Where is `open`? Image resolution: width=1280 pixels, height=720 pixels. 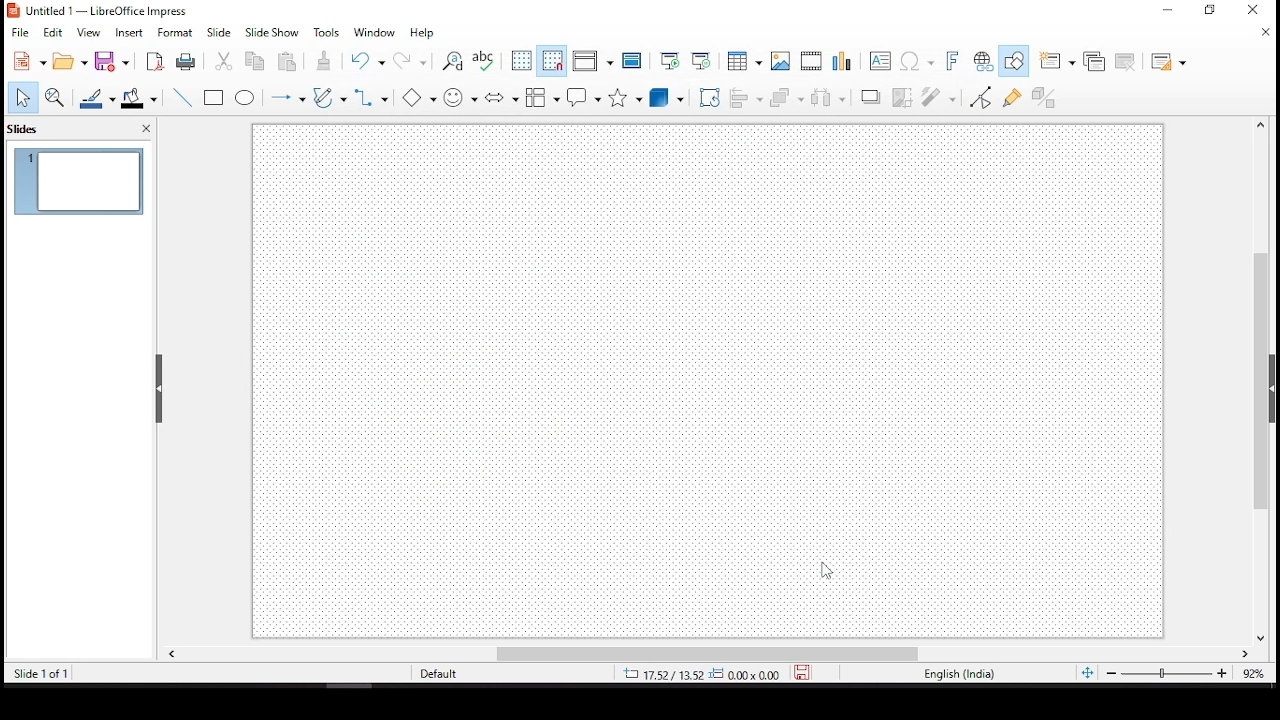
open is located at coordinates (70, 59).